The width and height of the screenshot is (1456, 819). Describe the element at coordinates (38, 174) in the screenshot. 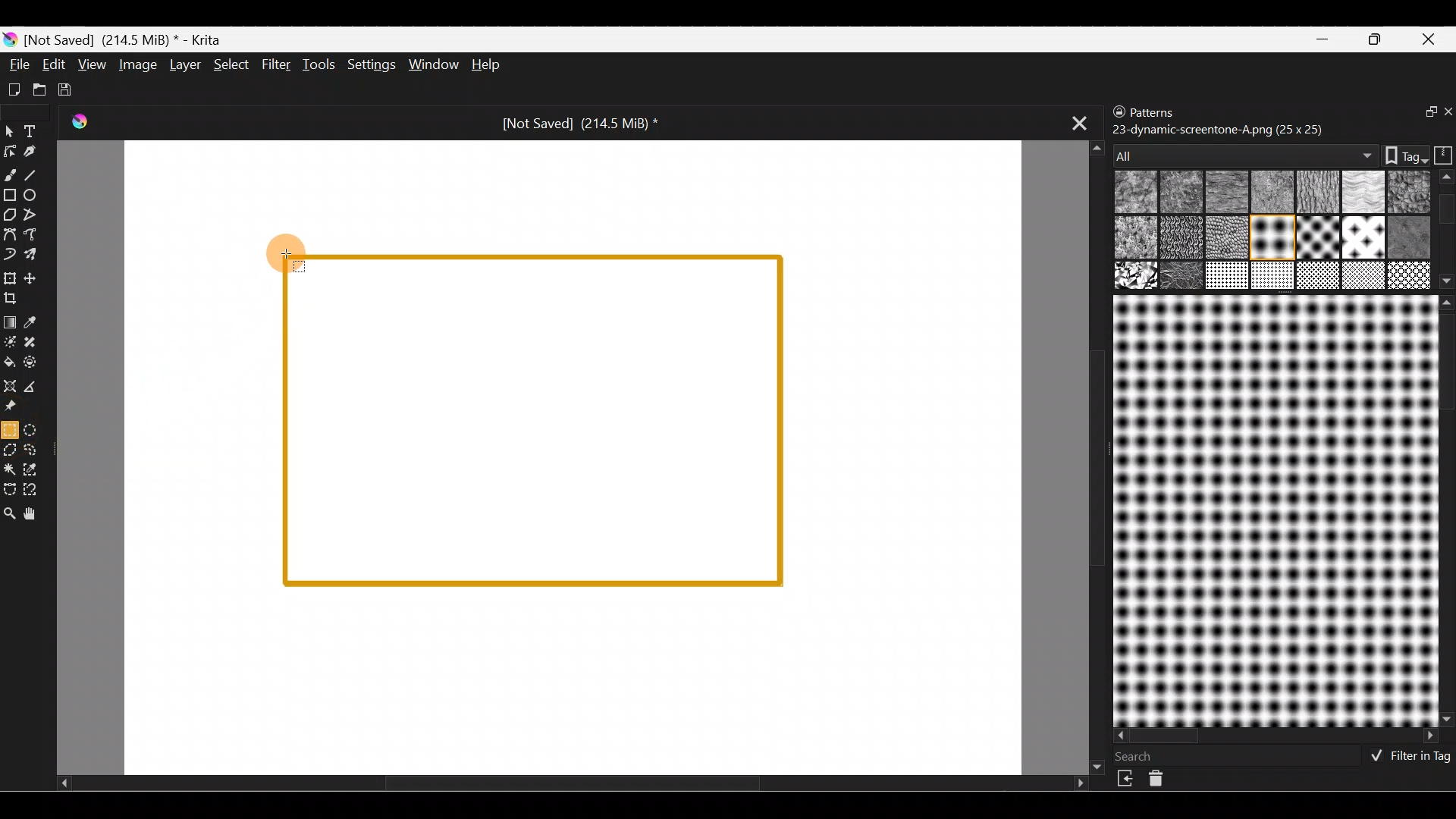

I see `Line tool` at that location.